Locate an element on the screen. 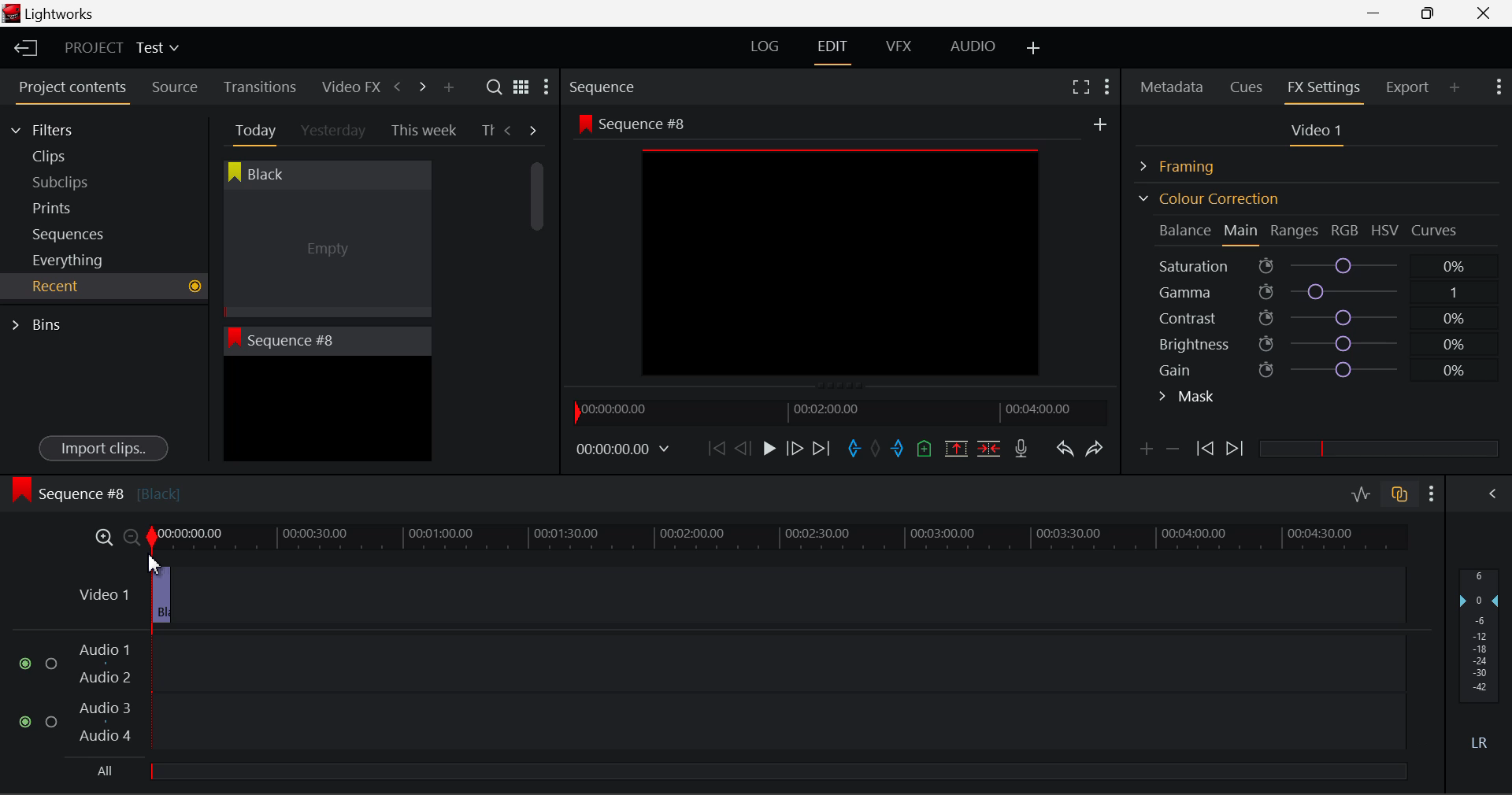 Image resolution: width=1512 pixels, height=795 pixels. This week Tab is located at coordinates (422, 131).